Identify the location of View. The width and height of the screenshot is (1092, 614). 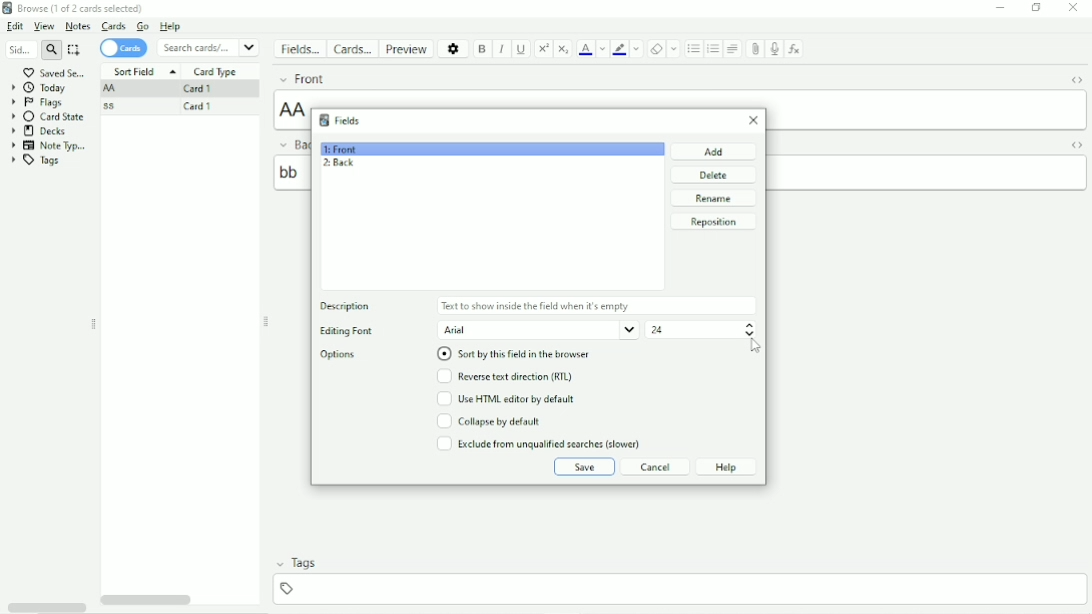
(45, 27).